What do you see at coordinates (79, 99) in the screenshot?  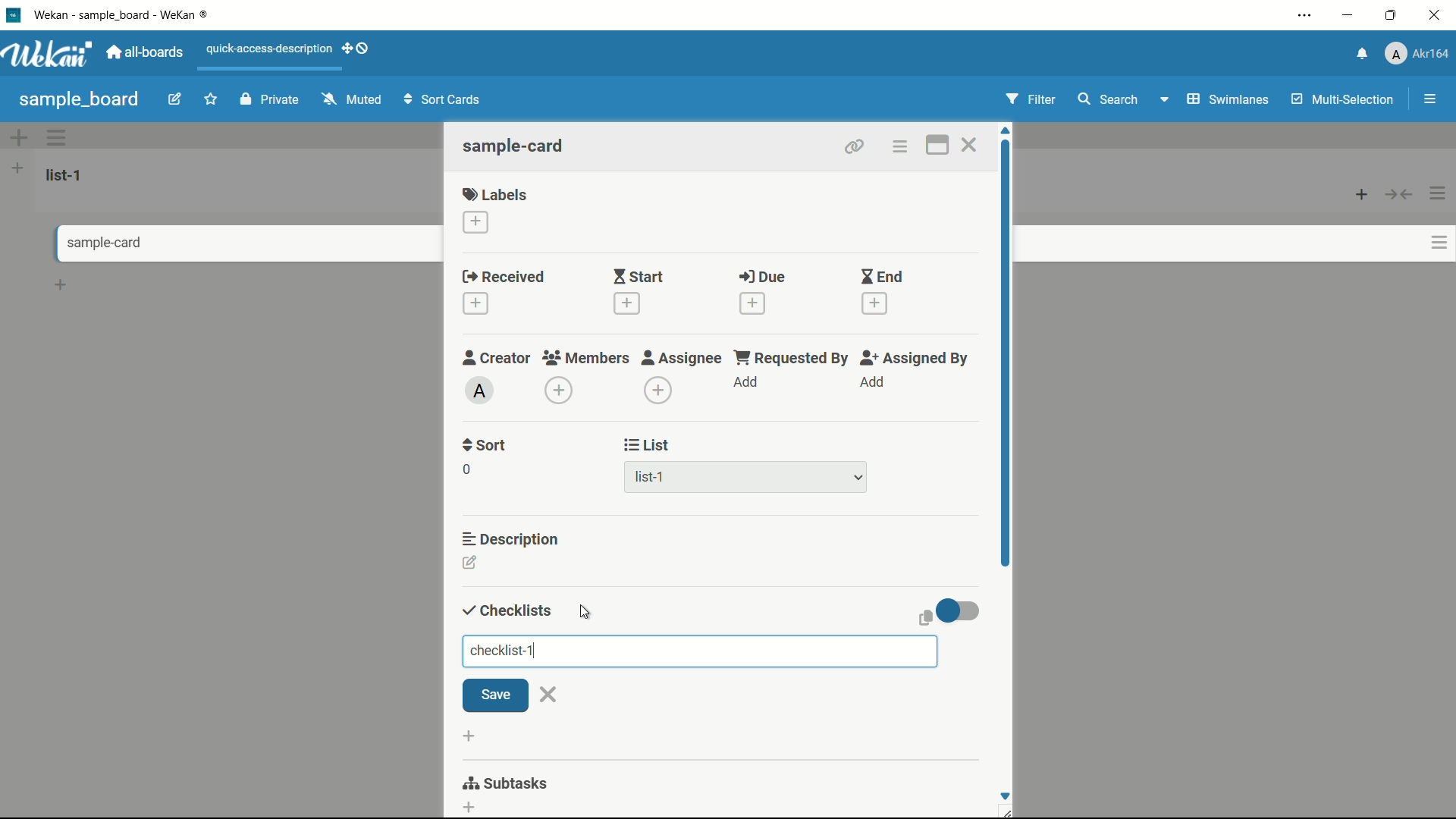 I see `board name` at bounding box center [79, 99].